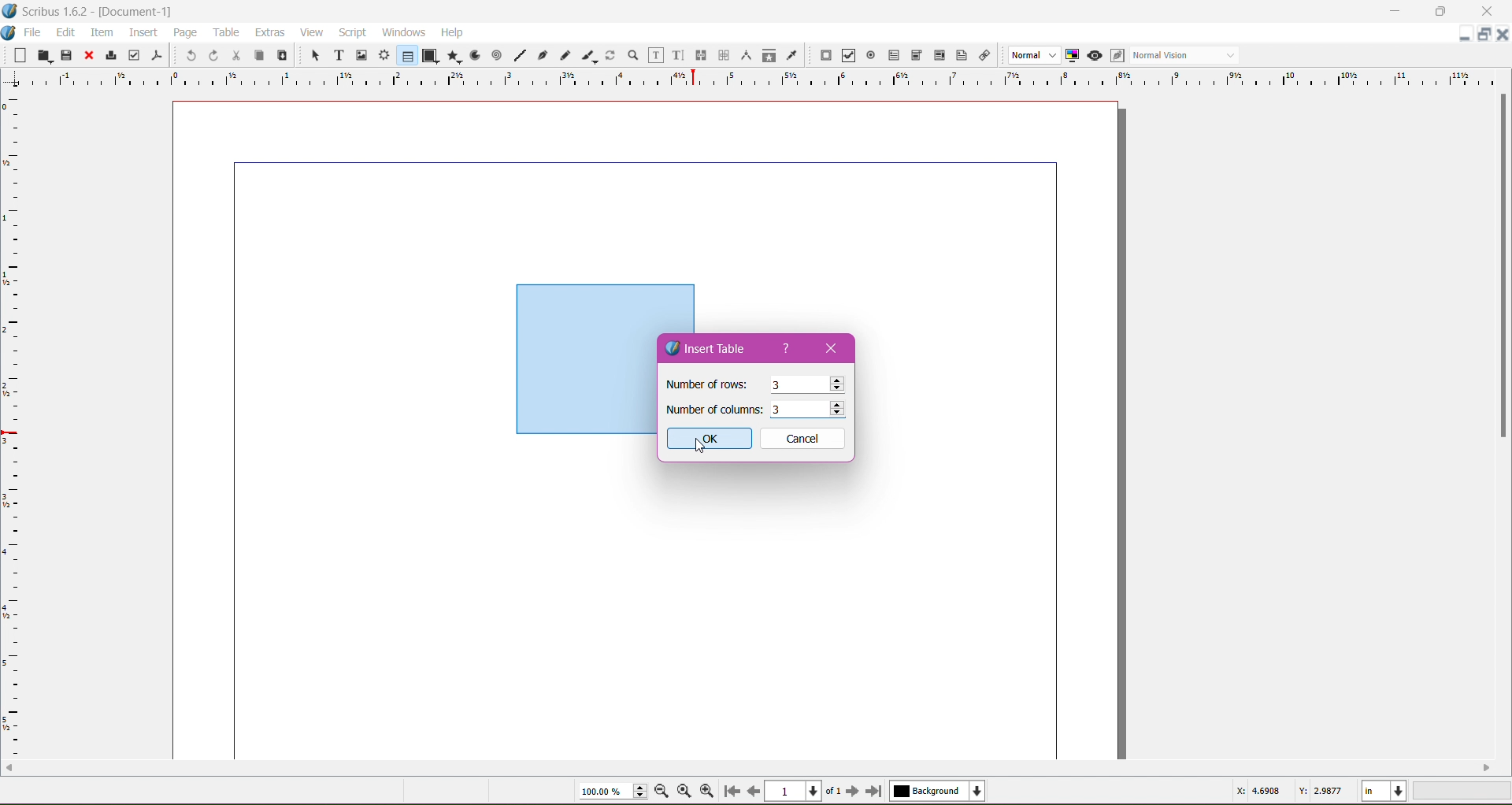 The image size is (1512, 805). What do you see at coordinates (134, 52) in the screenshot?
I see `Preflight Verifier` at bounding box center [134, 52].